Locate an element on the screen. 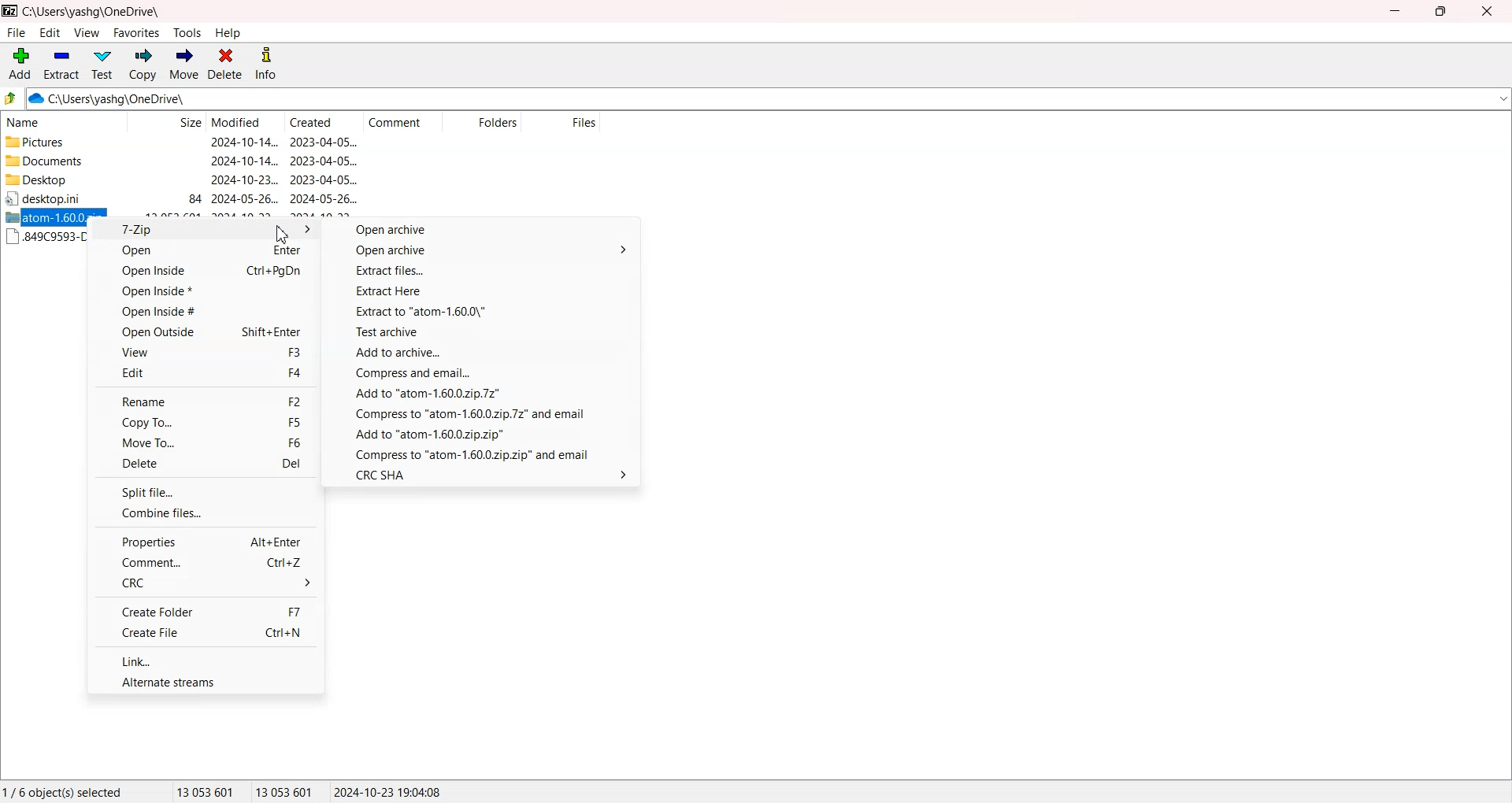 The width and height of the screenshot is (1512, 803). Add to 7z is located at coordinates (484, 394).